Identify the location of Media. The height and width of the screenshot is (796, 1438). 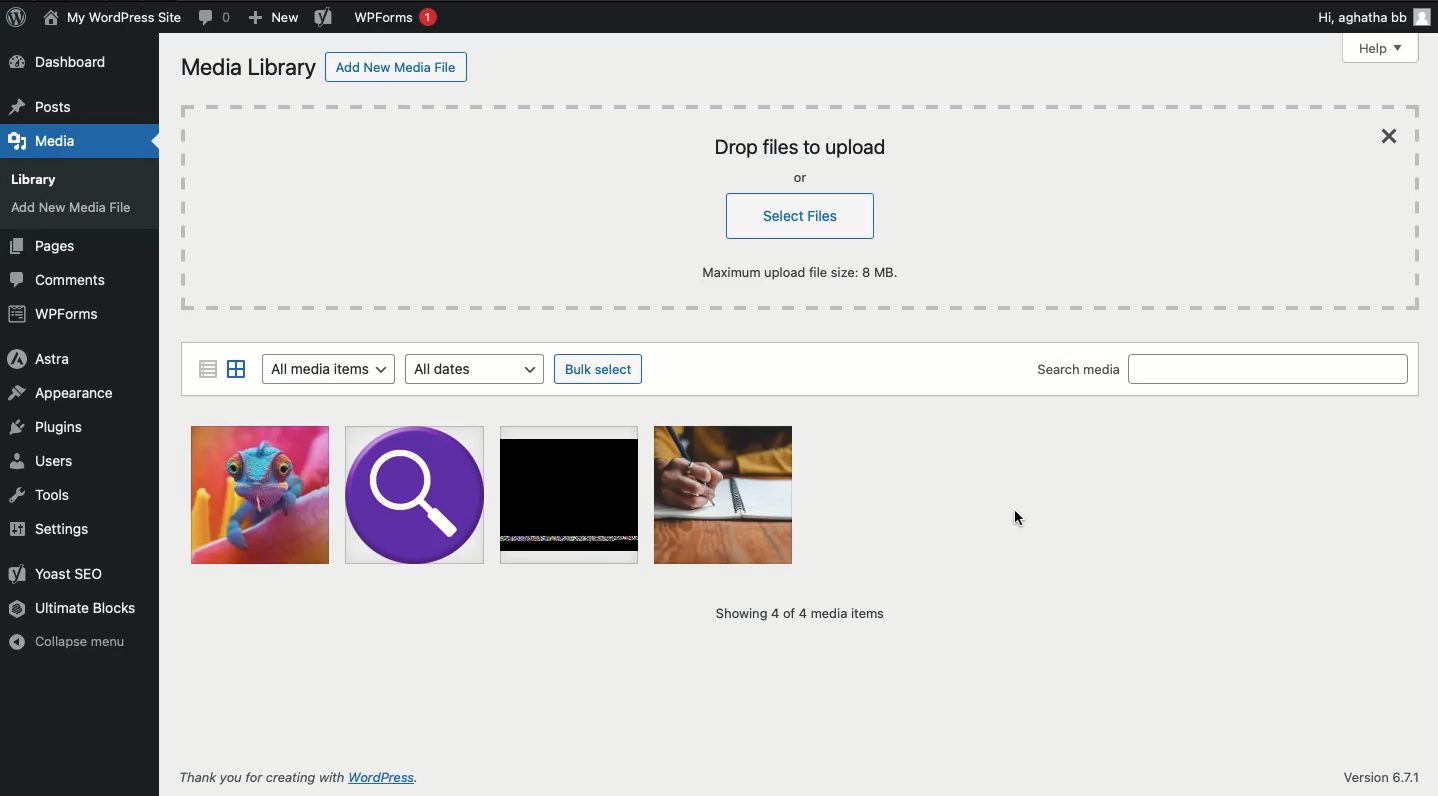
(49, 138).